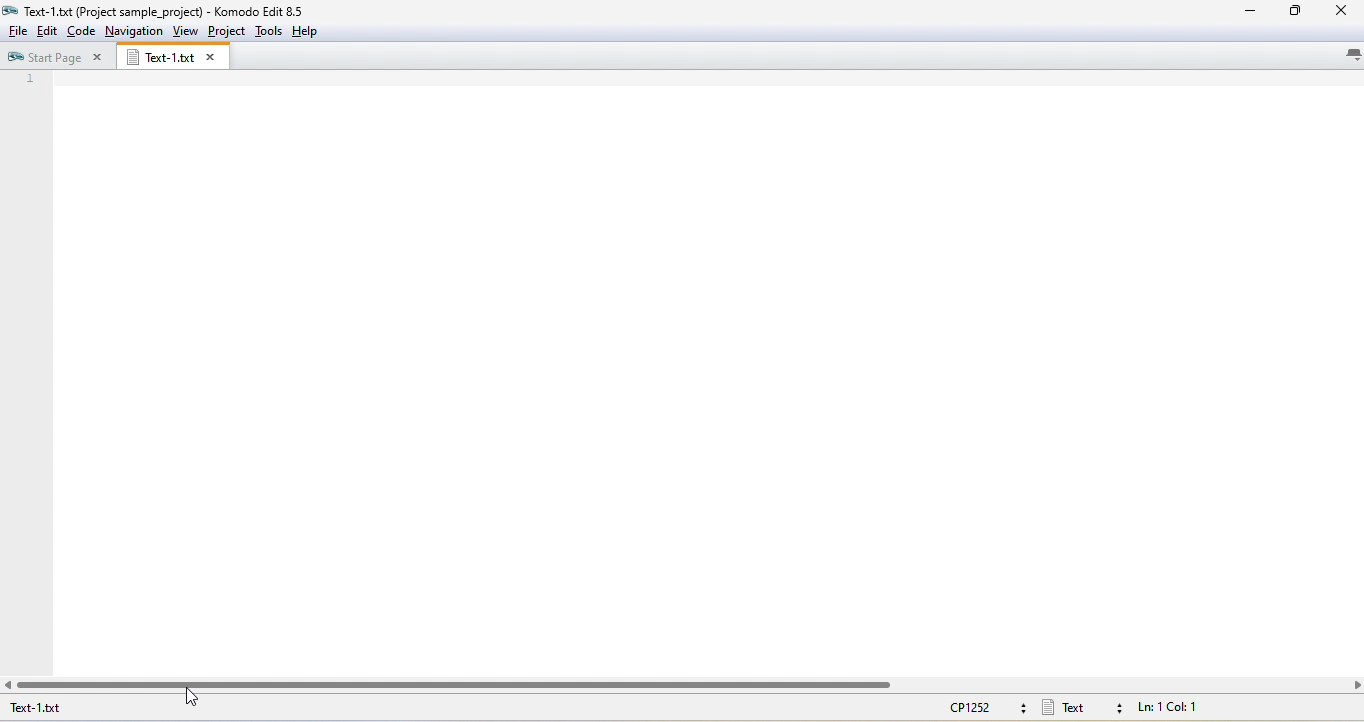  I want to click on list all tabs, so click(1346, 57).